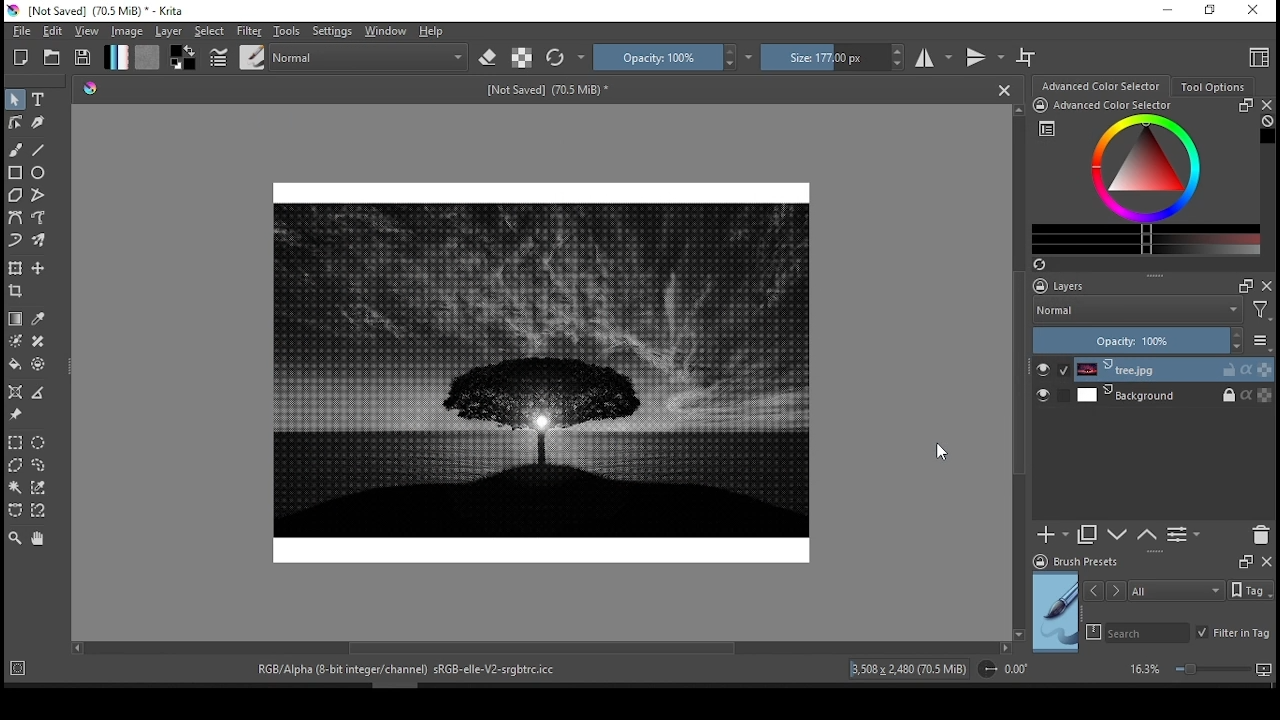  What do you see at coordinates (16, 241) in the screenshot?
I see `dynamic brush tool` at bounding box center [16, 241].